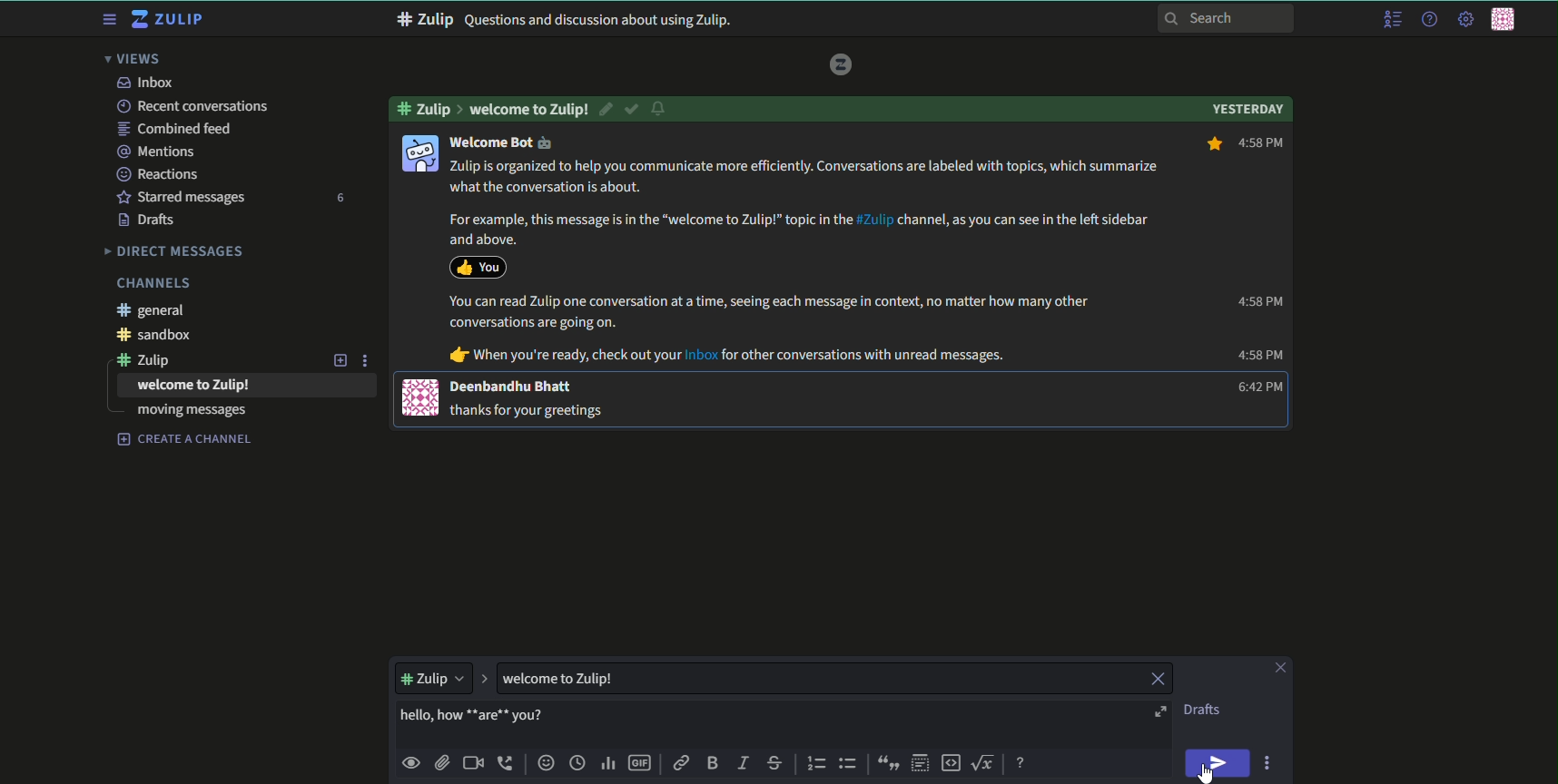 The image size is (1558, 784). I want to click on upload files, so click(441, 761).